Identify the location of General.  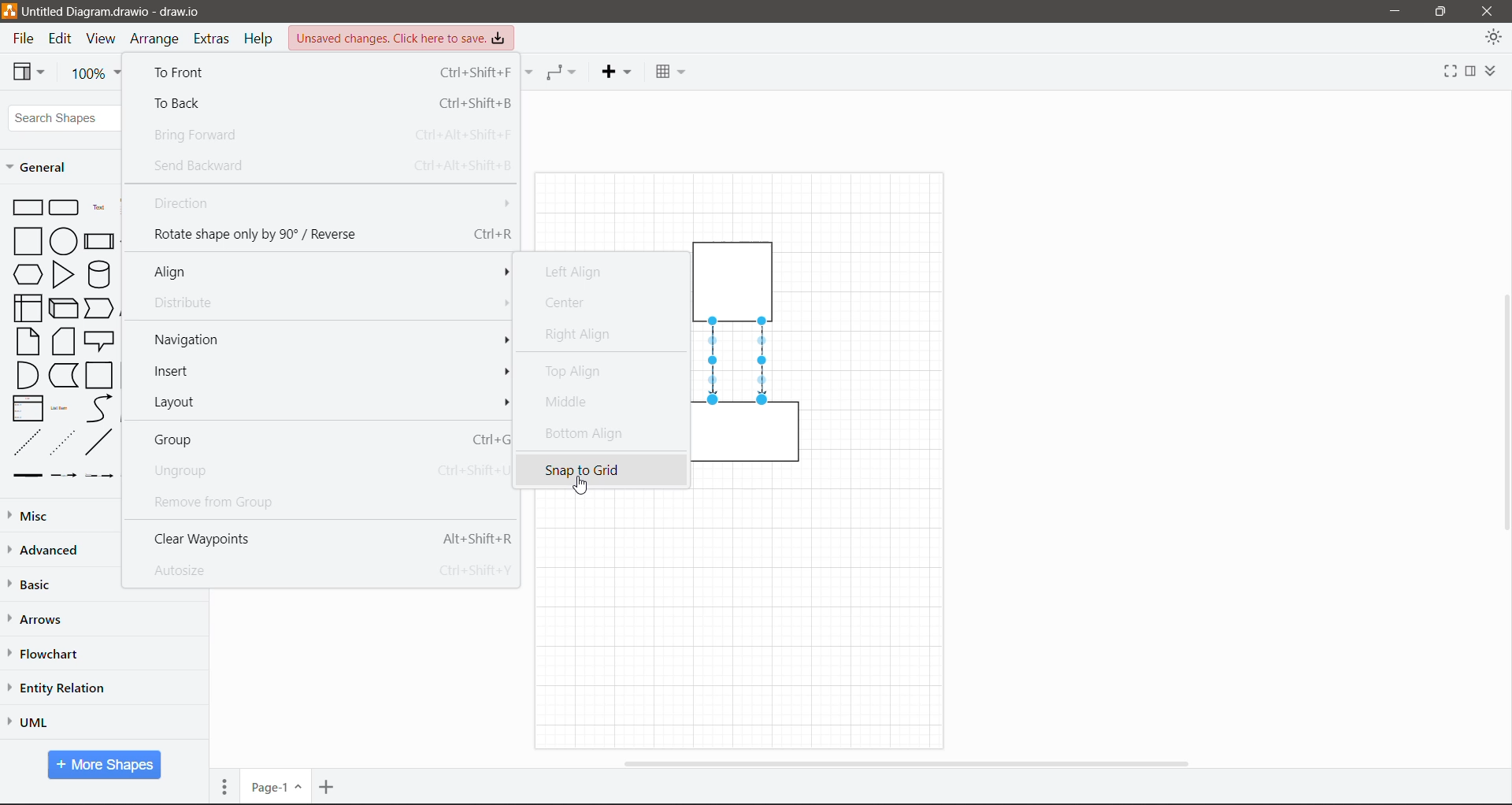
(43, 167).